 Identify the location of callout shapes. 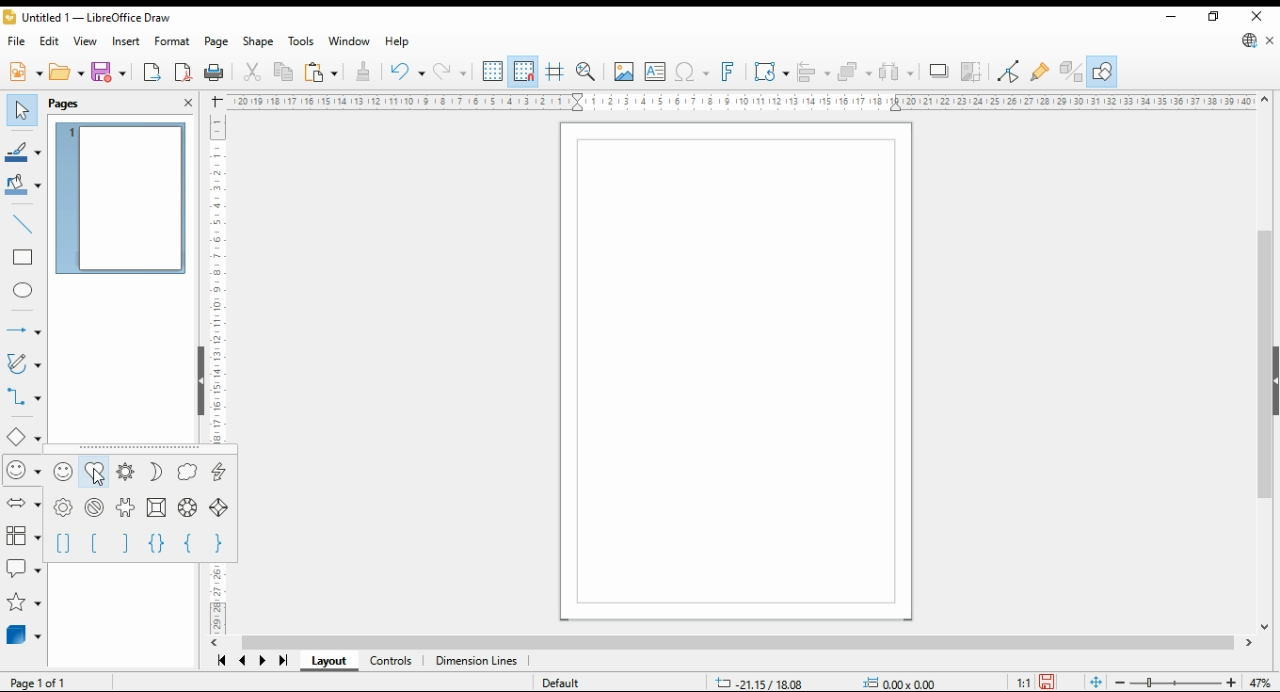
(24, 564).